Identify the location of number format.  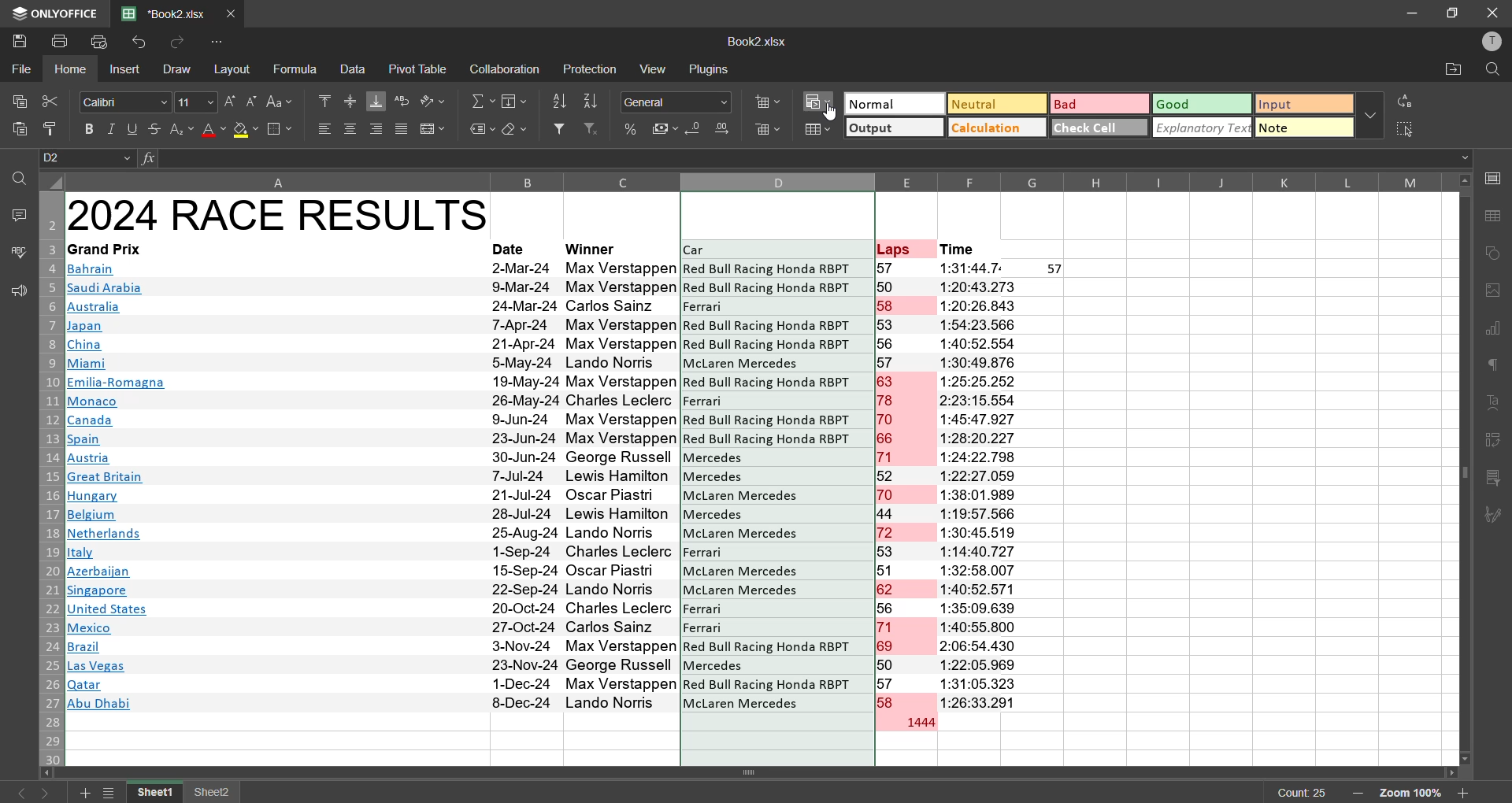
(681, 102).